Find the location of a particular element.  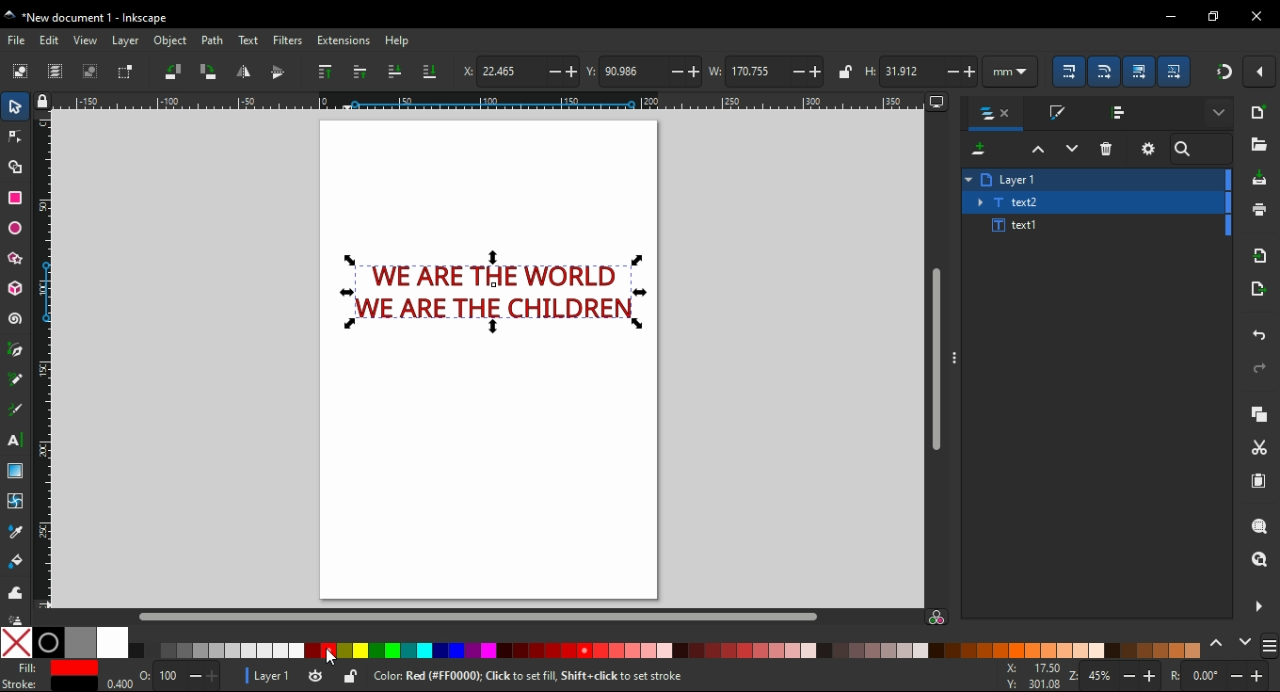

snap settings is located at coordinates (1259, 71).